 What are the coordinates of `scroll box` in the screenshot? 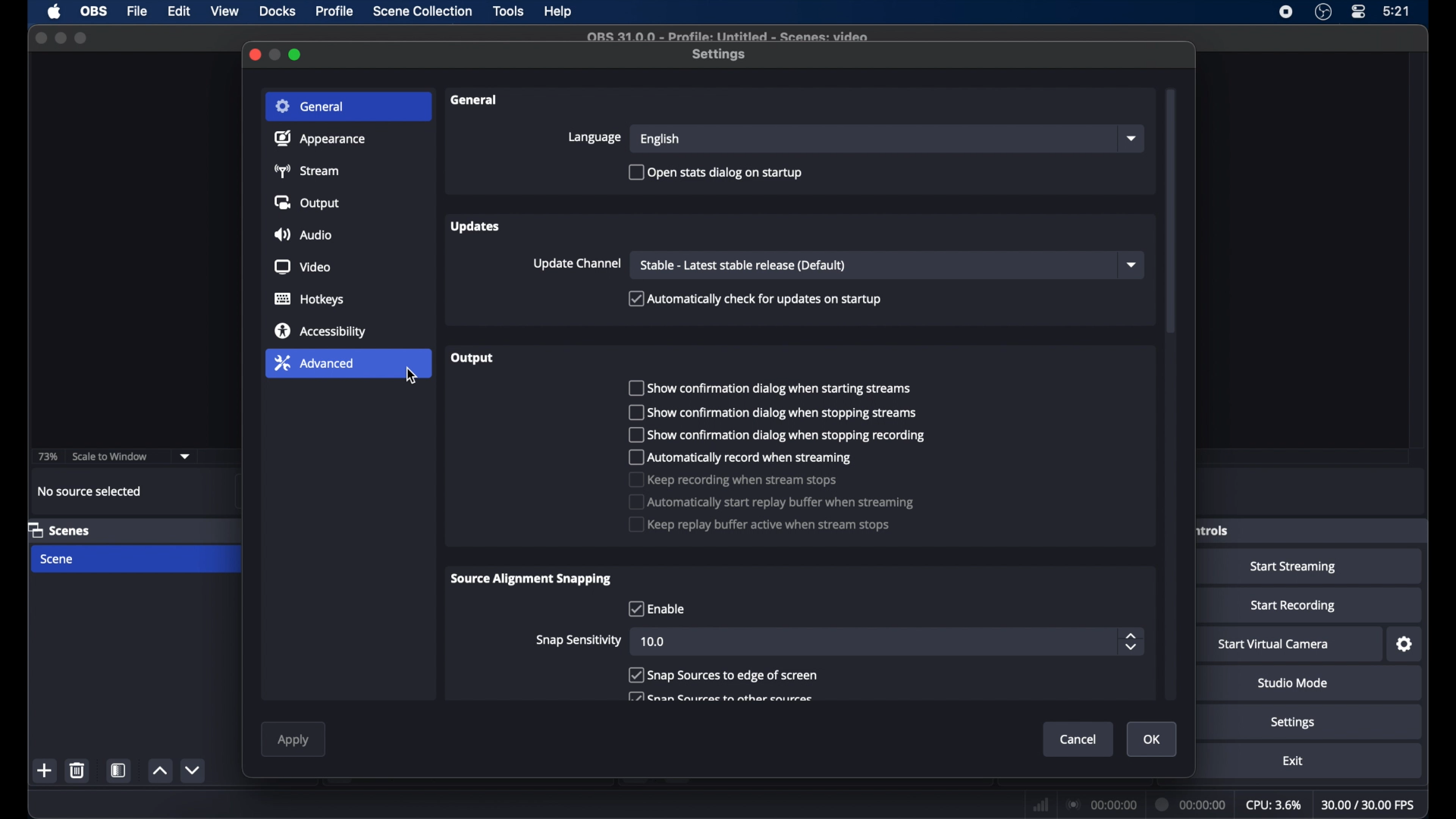 It's located at (1169, 211).